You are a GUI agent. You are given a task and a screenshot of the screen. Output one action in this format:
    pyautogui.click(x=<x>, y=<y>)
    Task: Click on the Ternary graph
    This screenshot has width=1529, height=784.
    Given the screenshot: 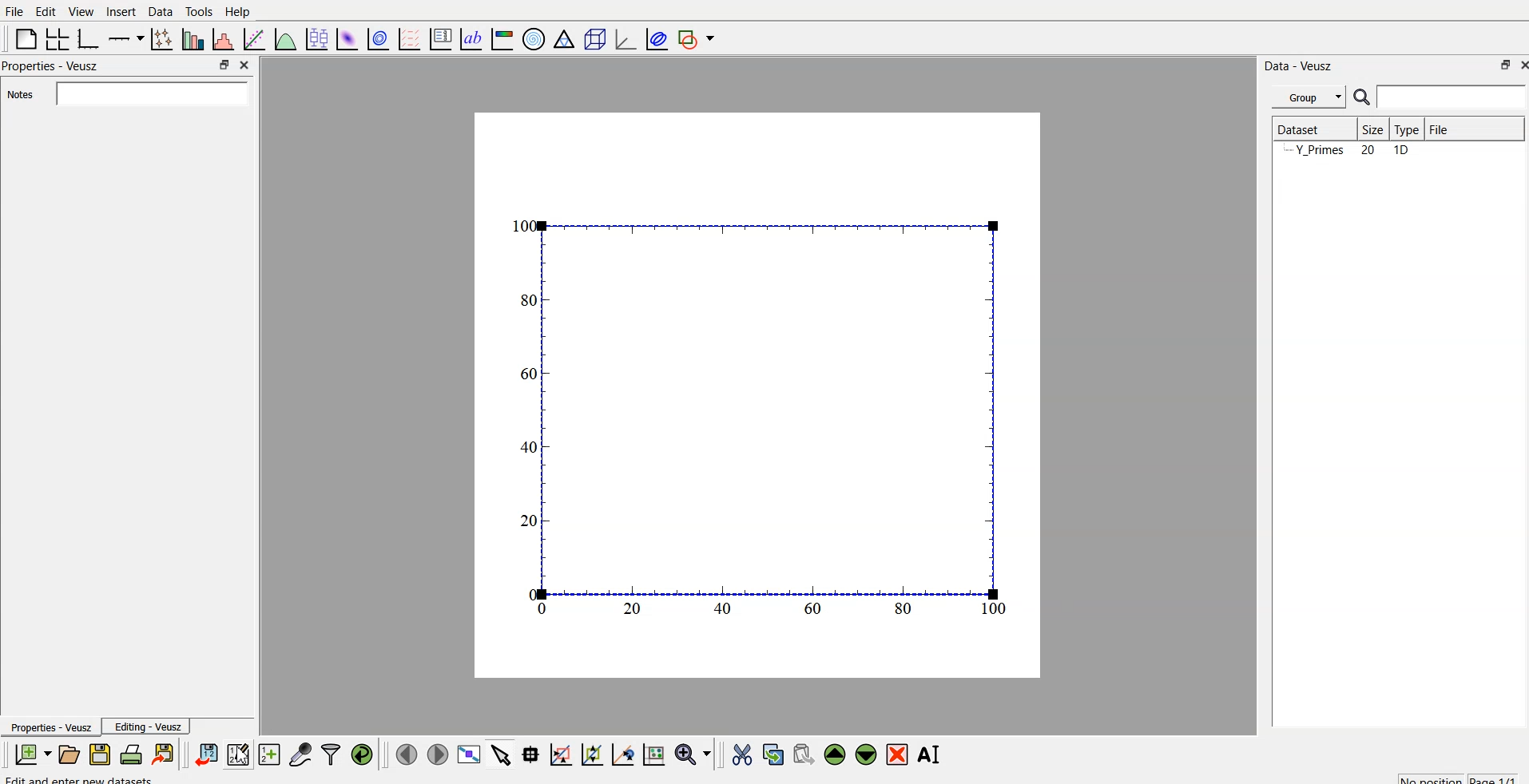 What is the action you would take?
    pyautogui.click(x=565, y=38)
    